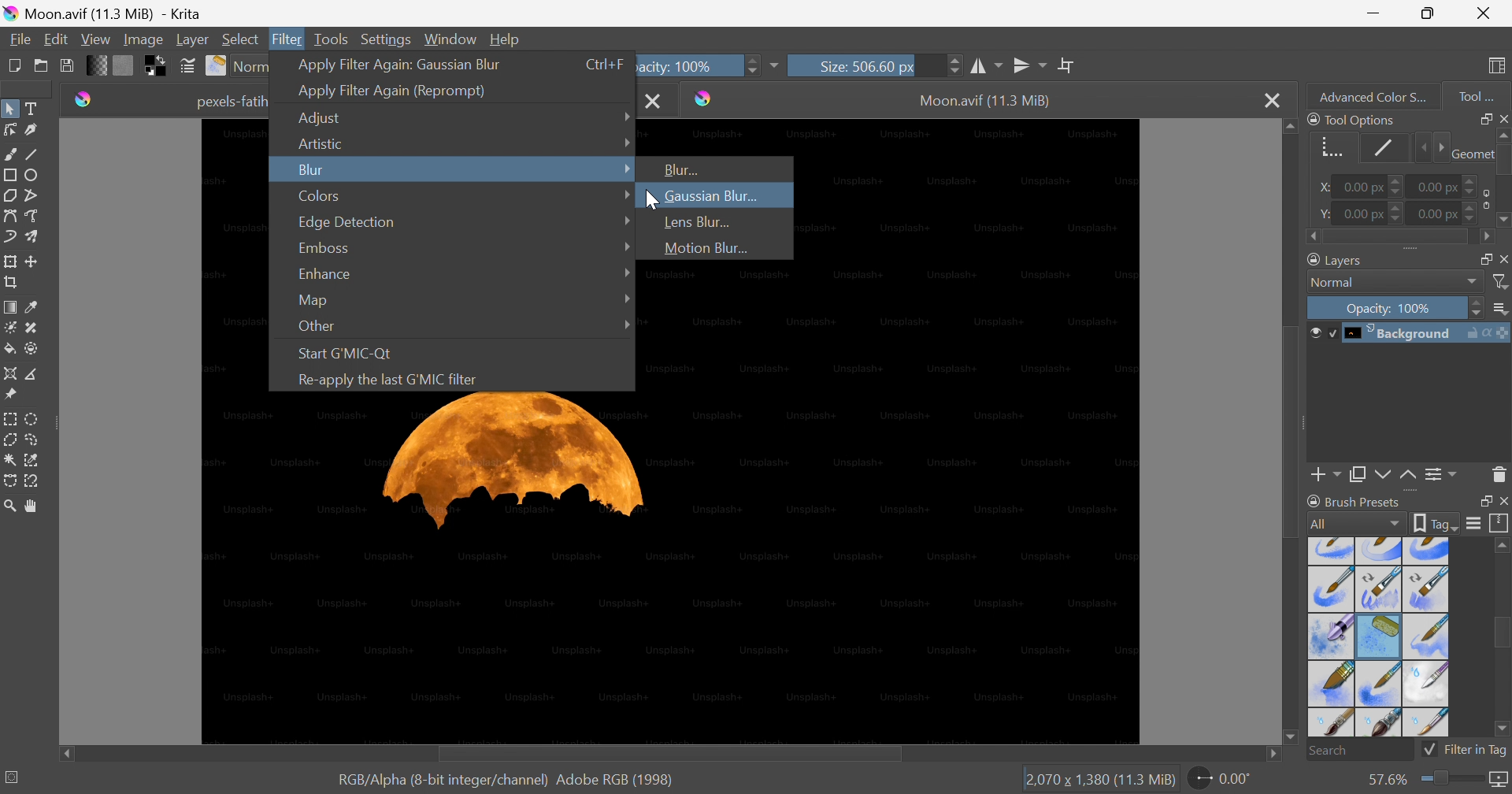 The height and width of the screenshot is (794, 1512). What do you see at coordinates (9, 109) in the screenshot?
I see `Select shapes tool` at bounding box center [9, 109].